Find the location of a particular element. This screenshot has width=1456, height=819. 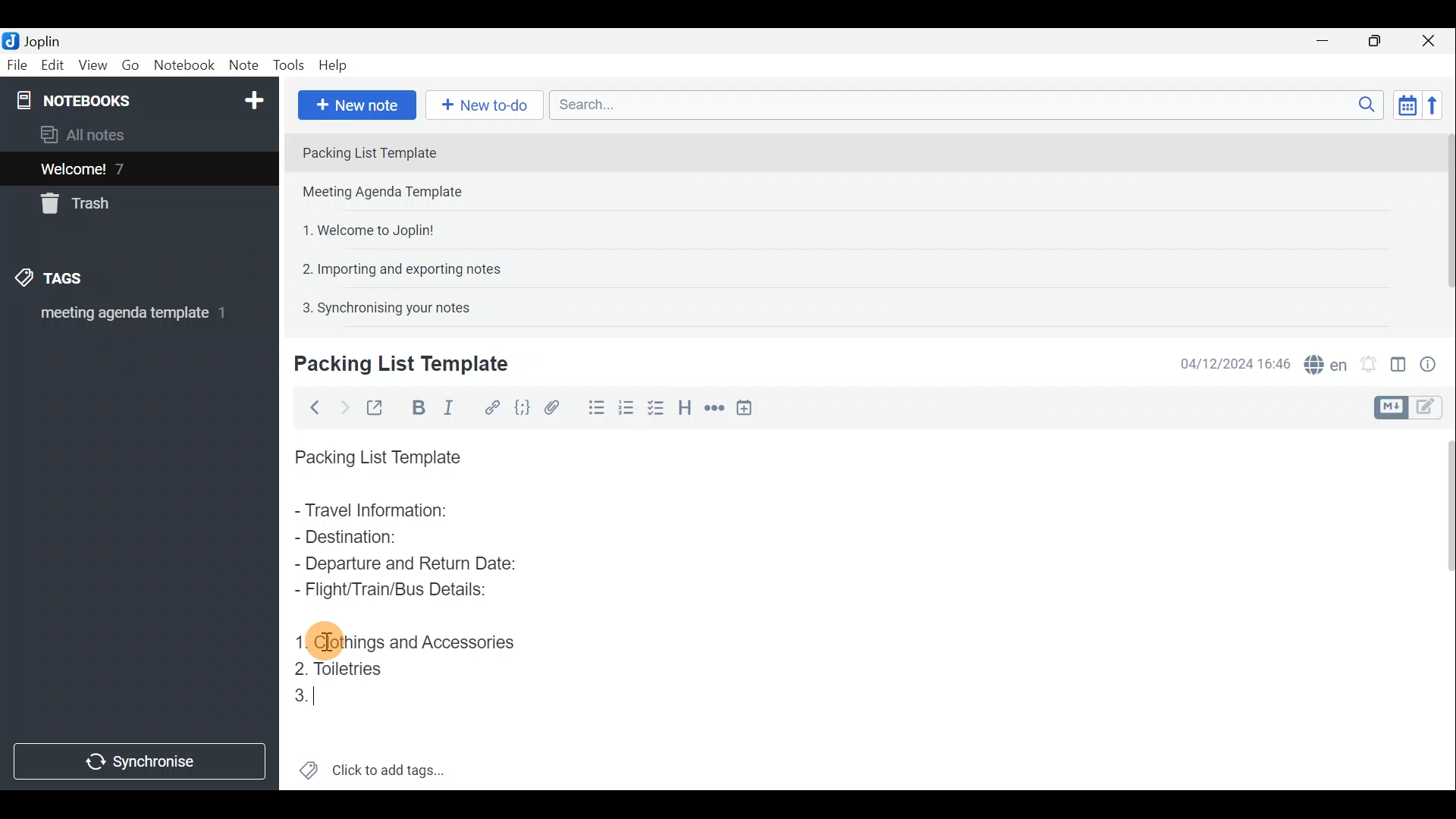

Reverse sort order is located at coordinates (1438, 104).